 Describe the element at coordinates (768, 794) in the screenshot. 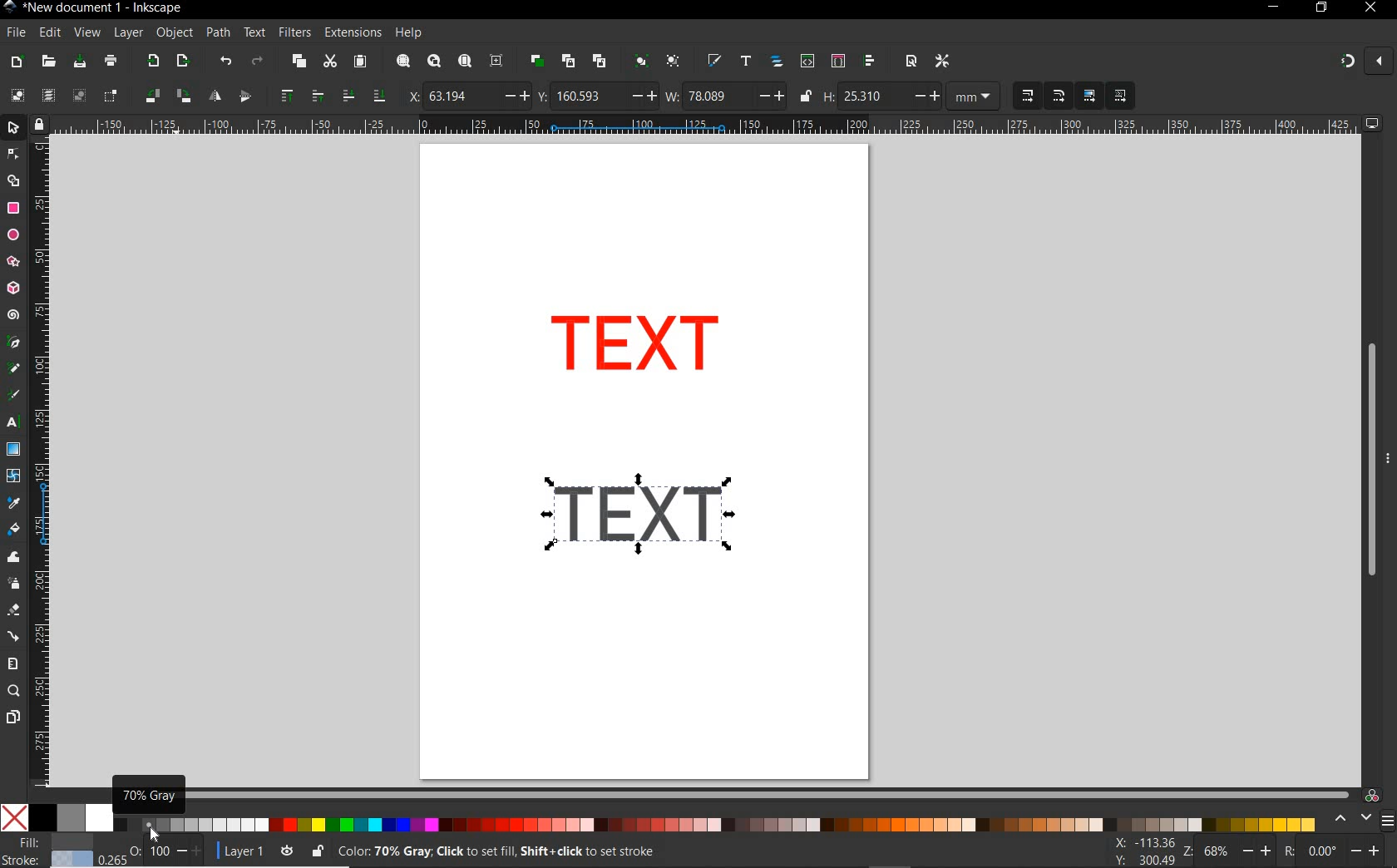

I see `scrollbar` at that location.